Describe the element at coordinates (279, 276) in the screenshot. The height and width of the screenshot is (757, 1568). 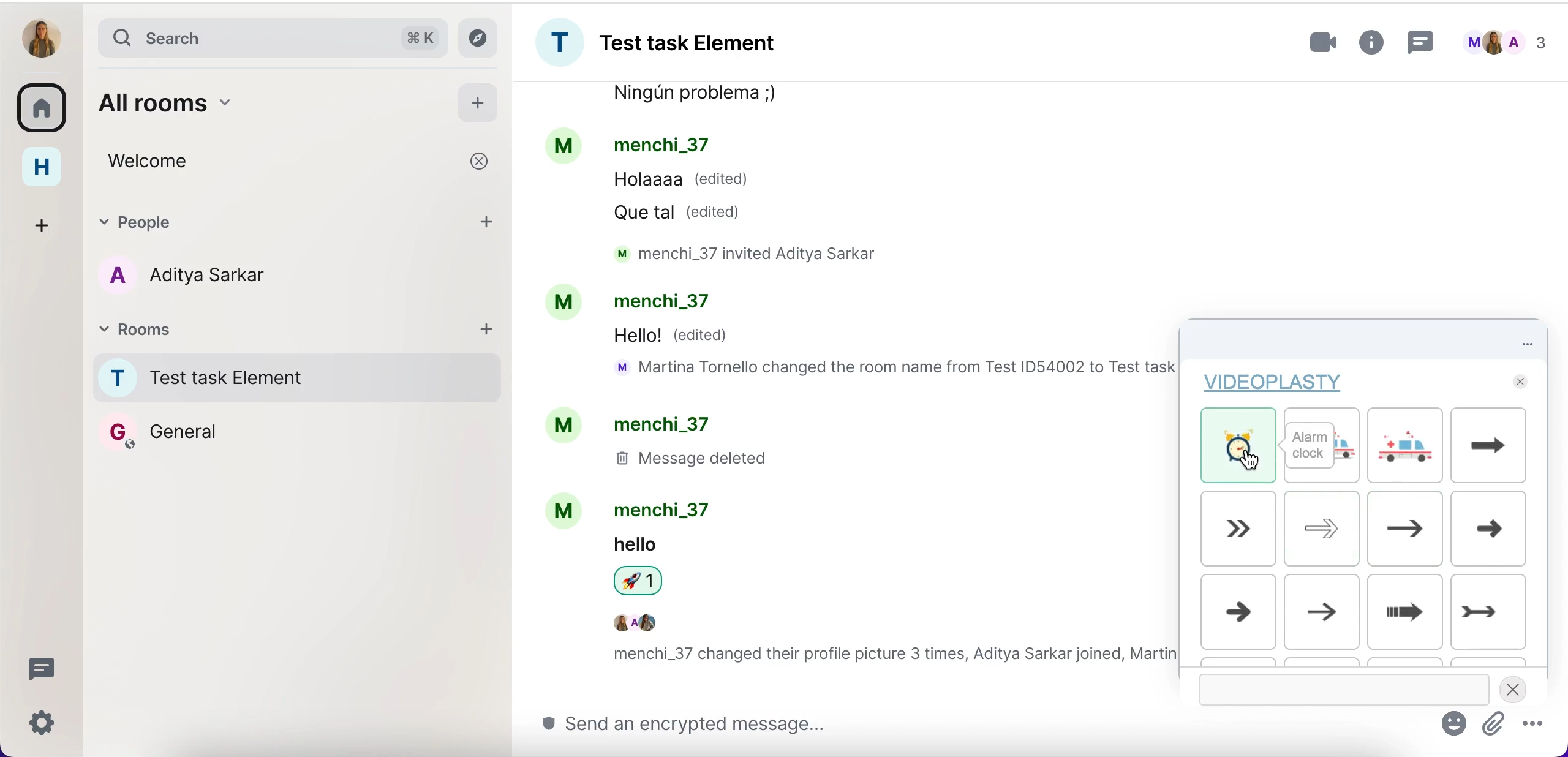
I see `chat member` at that location.